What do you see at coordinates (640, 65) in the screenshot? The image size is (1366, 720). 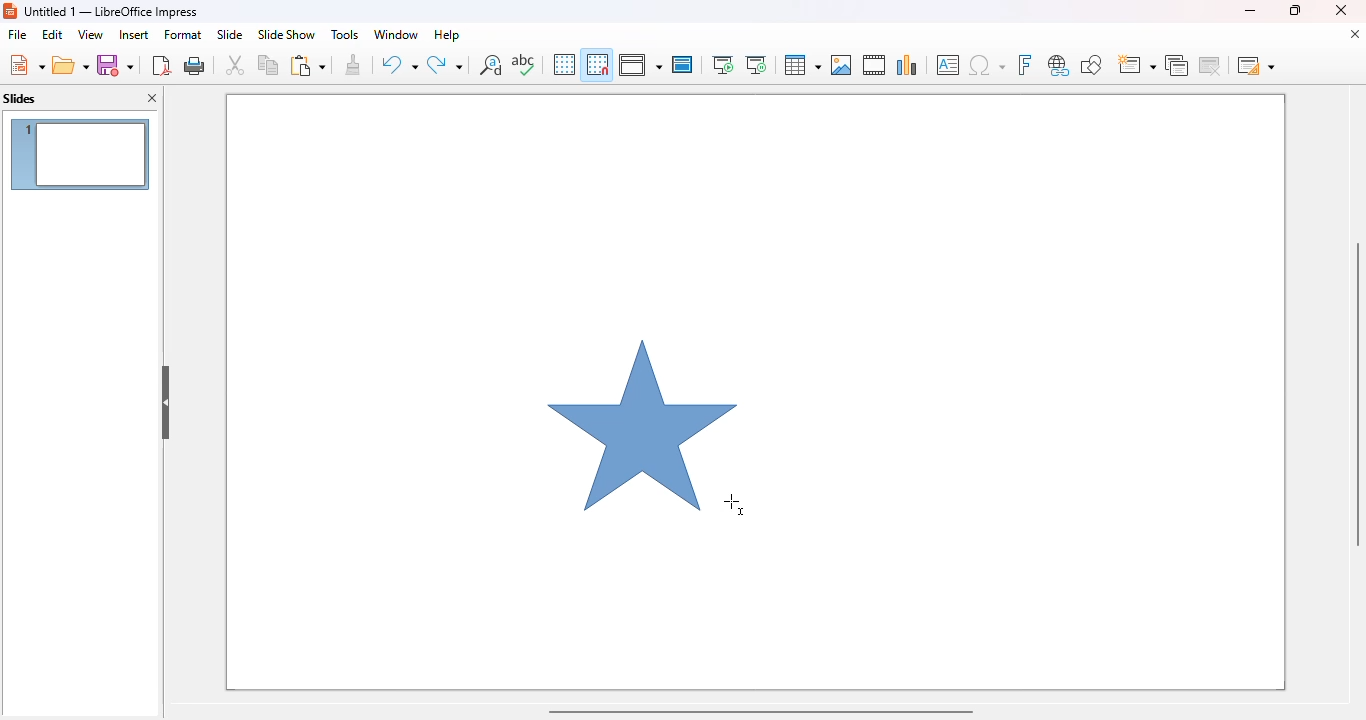 I see `display views` at bounding box center [640, 65].